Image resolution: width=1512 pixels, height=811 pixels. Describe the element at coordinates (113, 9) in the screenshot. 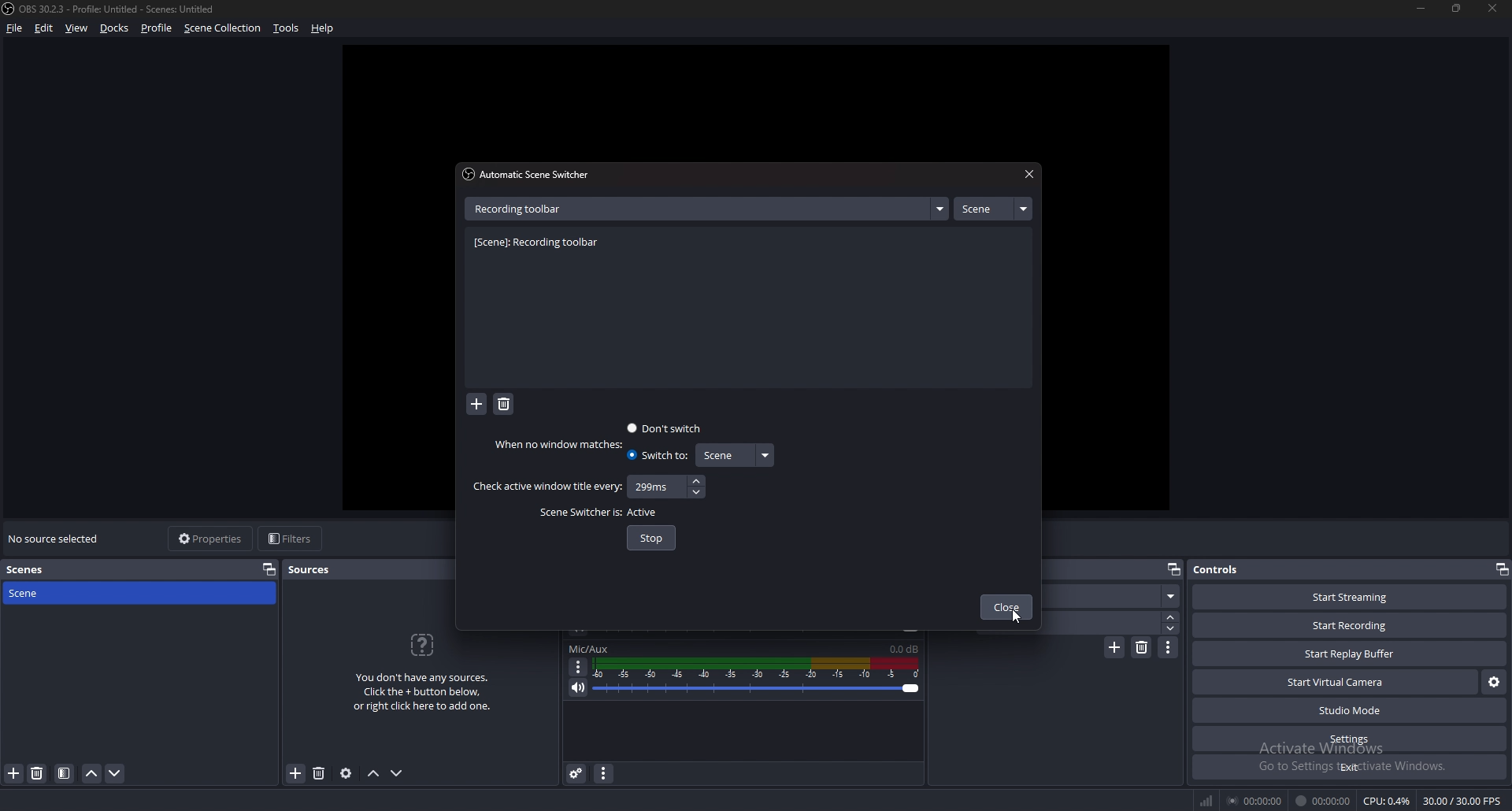

I see `title` at that location.